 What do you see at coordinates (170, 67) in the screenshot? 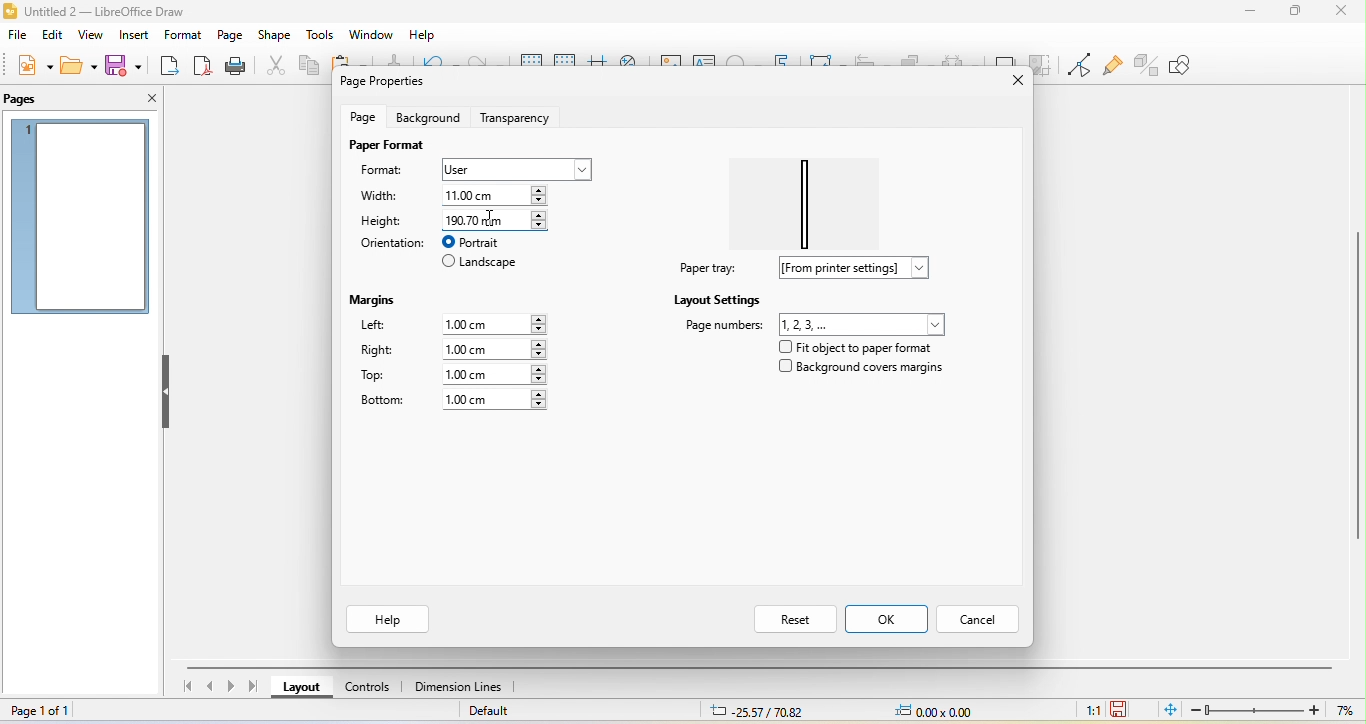
I see `export` at bounding box center [170, 67].